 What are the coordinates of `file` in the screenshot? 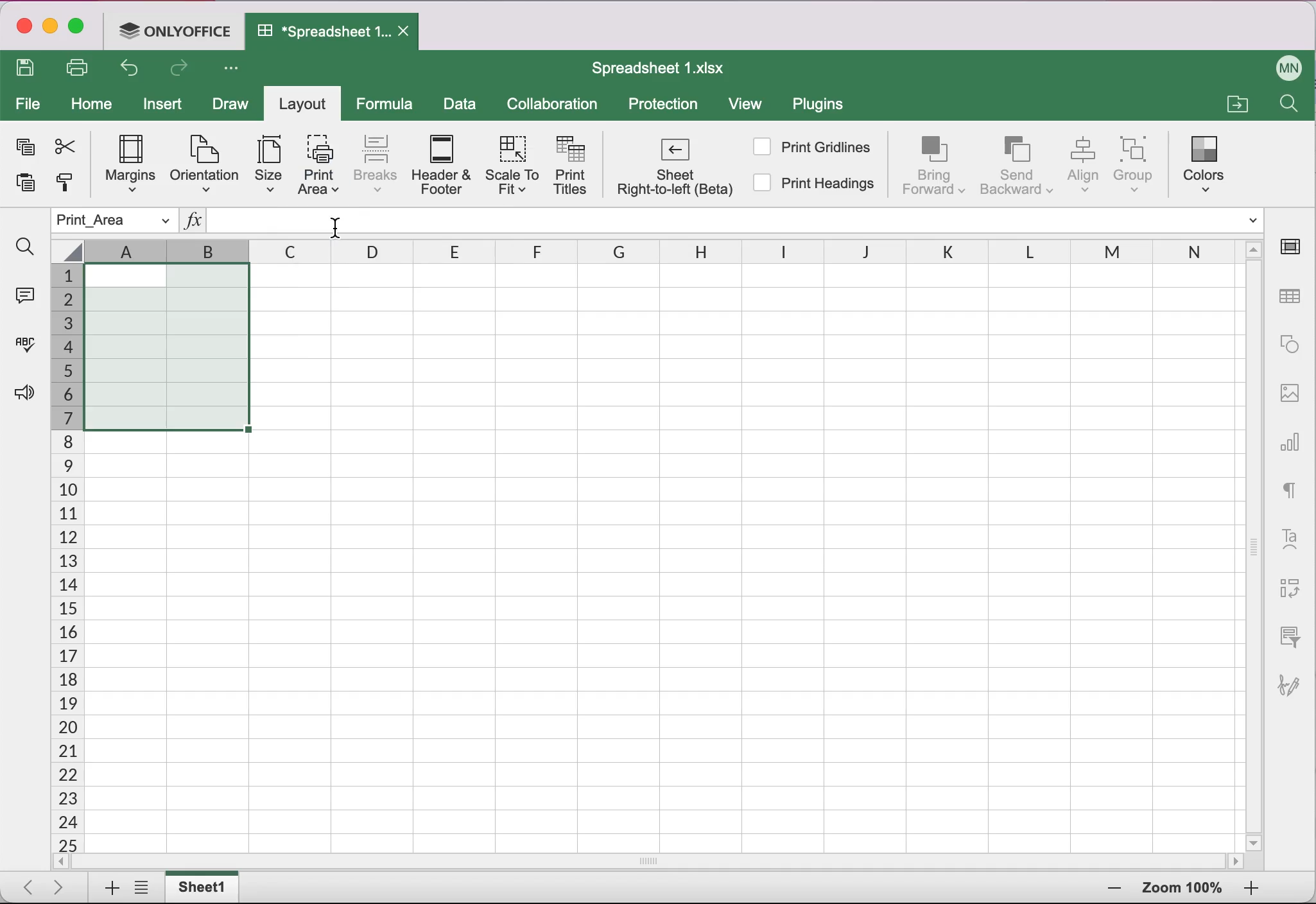 It's located at (28, 105).